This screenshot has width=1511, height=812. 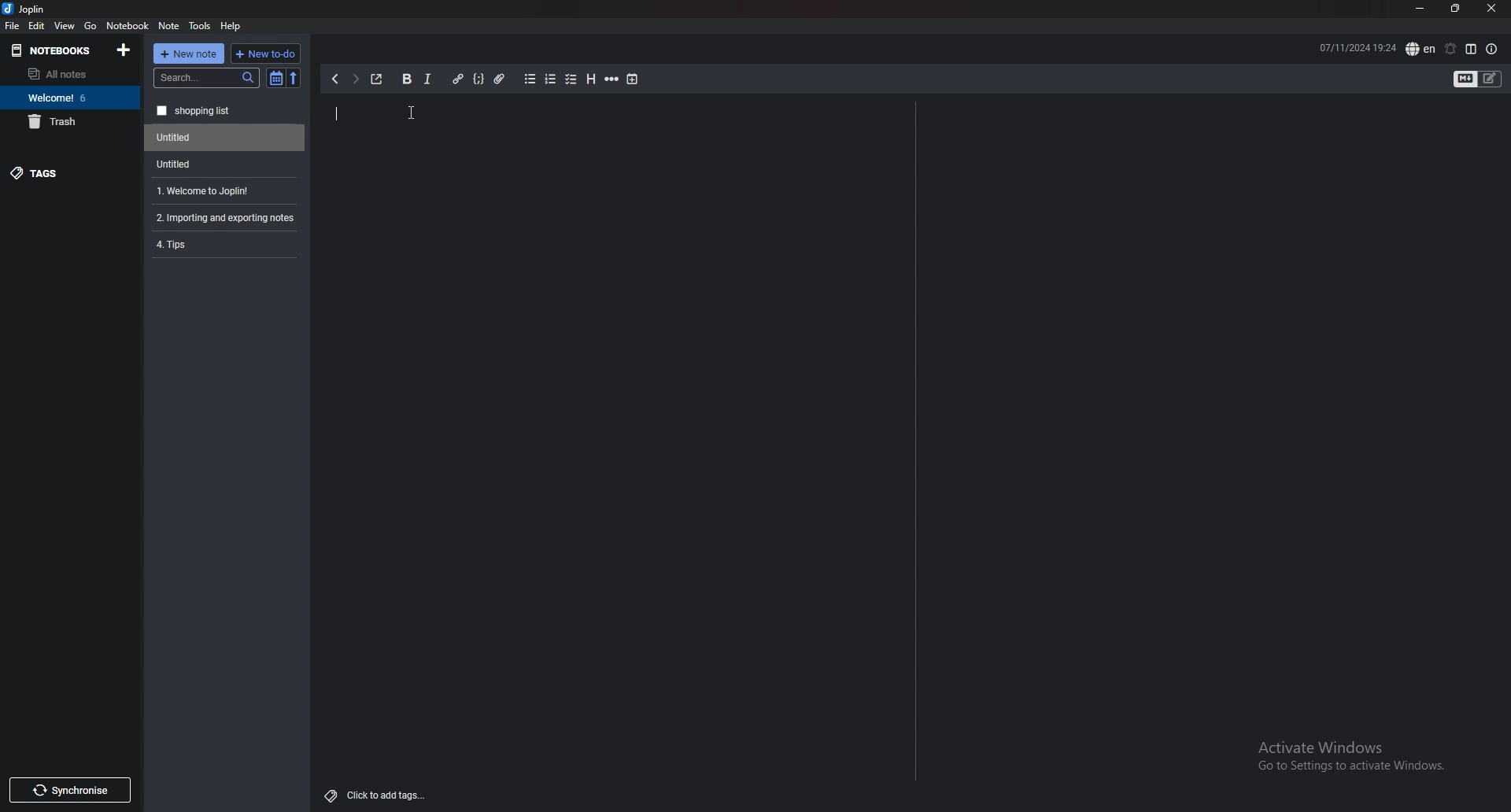 I want to click on checkbox, so click(x=571, y=80).